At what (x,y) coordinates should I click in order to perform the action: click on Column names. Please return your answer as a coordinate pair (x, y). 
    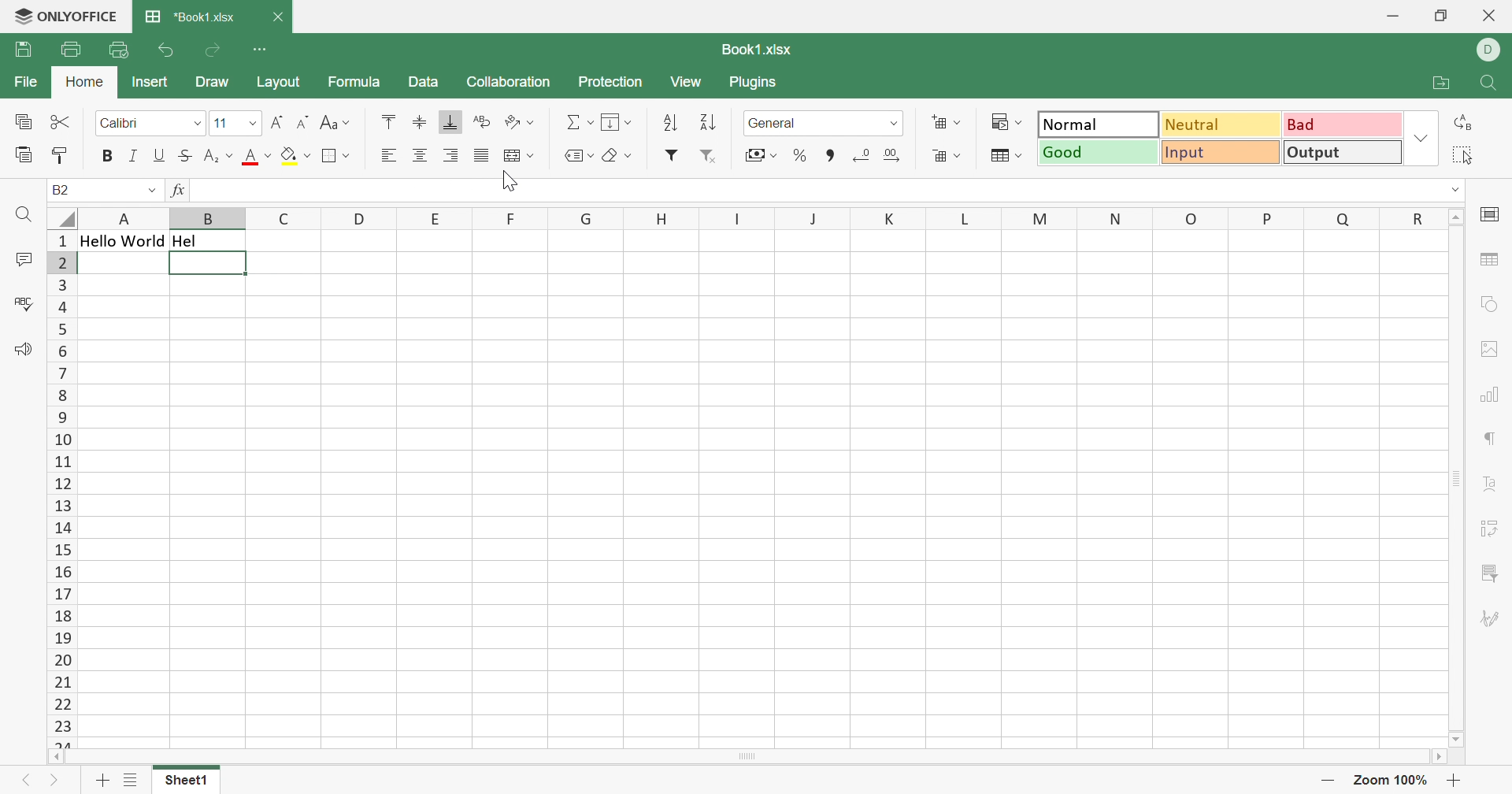
    Looking at the image, I should click on (761, 217).